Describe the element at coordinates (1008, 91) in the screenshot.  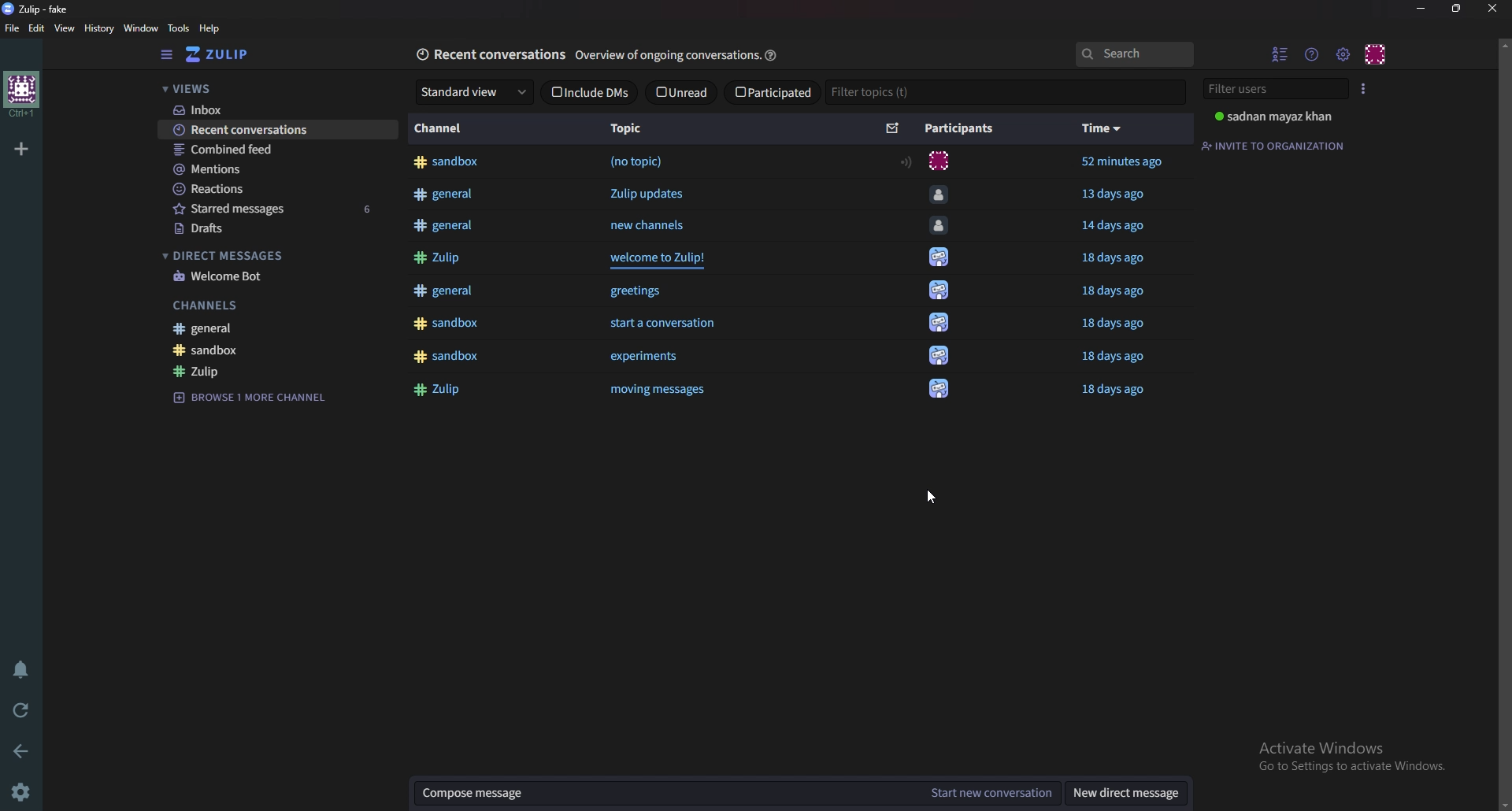
I see `Filter topics` at that location.